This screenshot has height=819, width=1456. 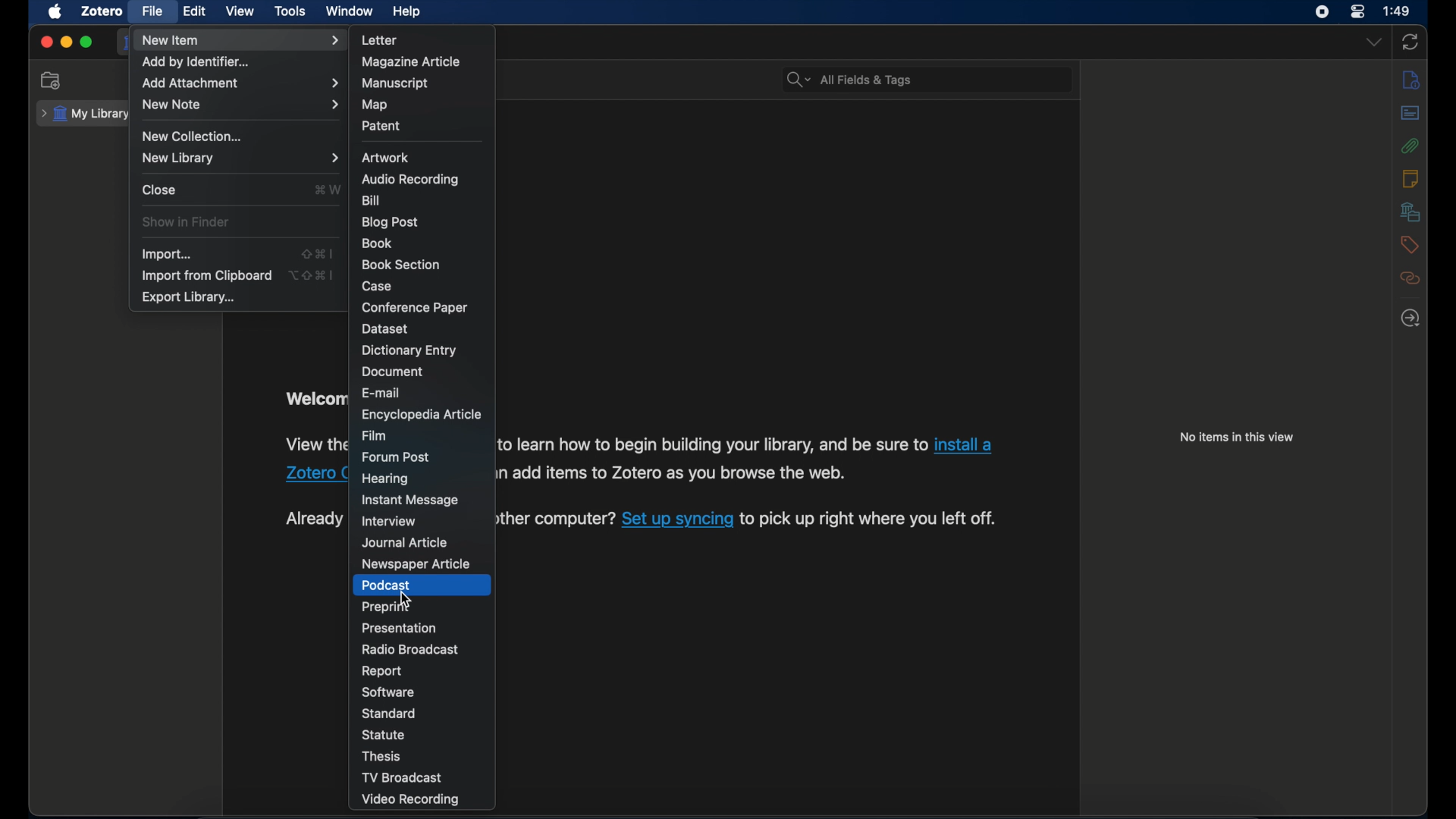 I want to click on edit, so click(x=196, y=11).